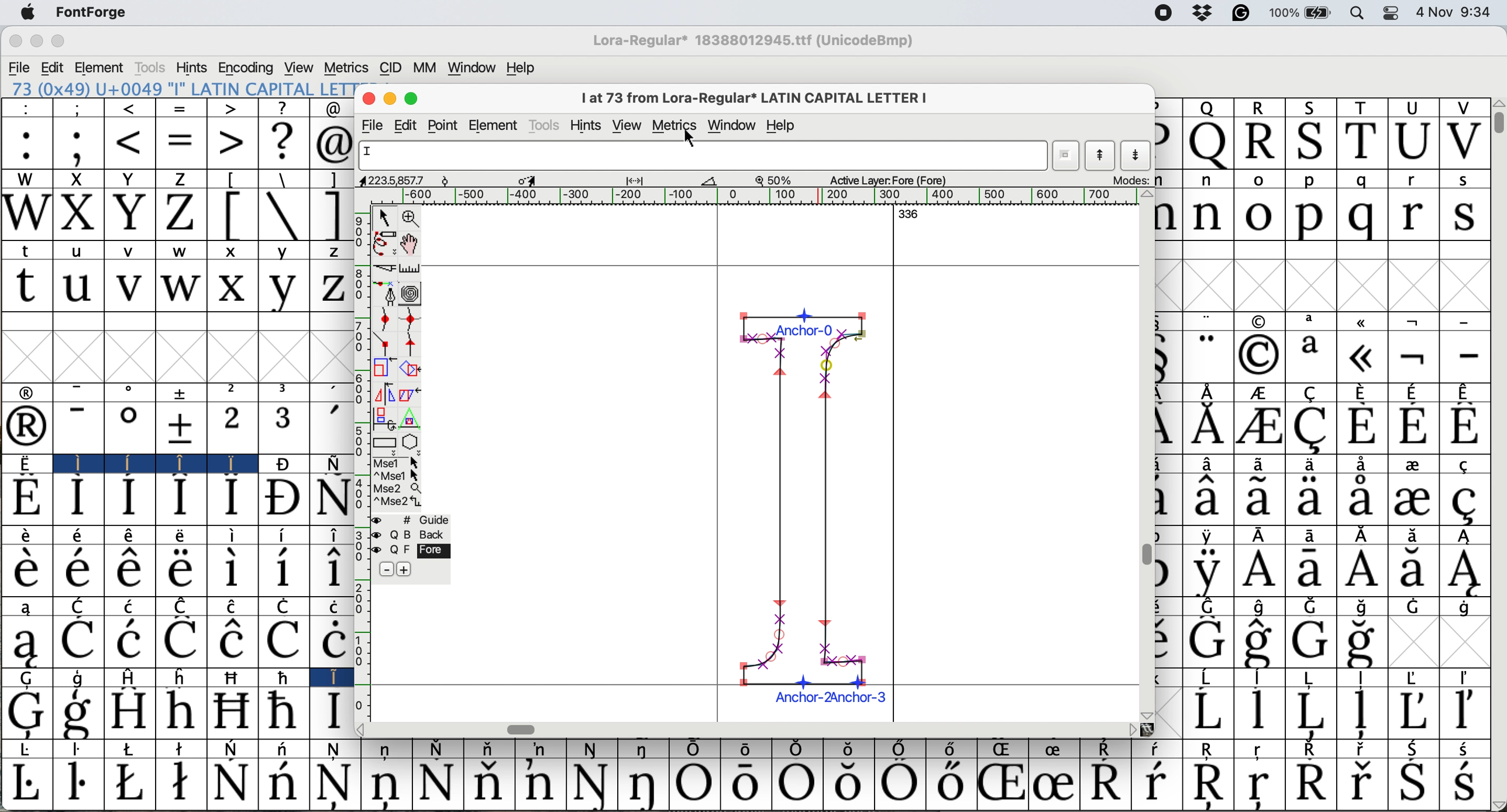 The image size is (1507, 812). Describe the element at coordinates (29, 679) in the screenshot. I see `G` at that location.